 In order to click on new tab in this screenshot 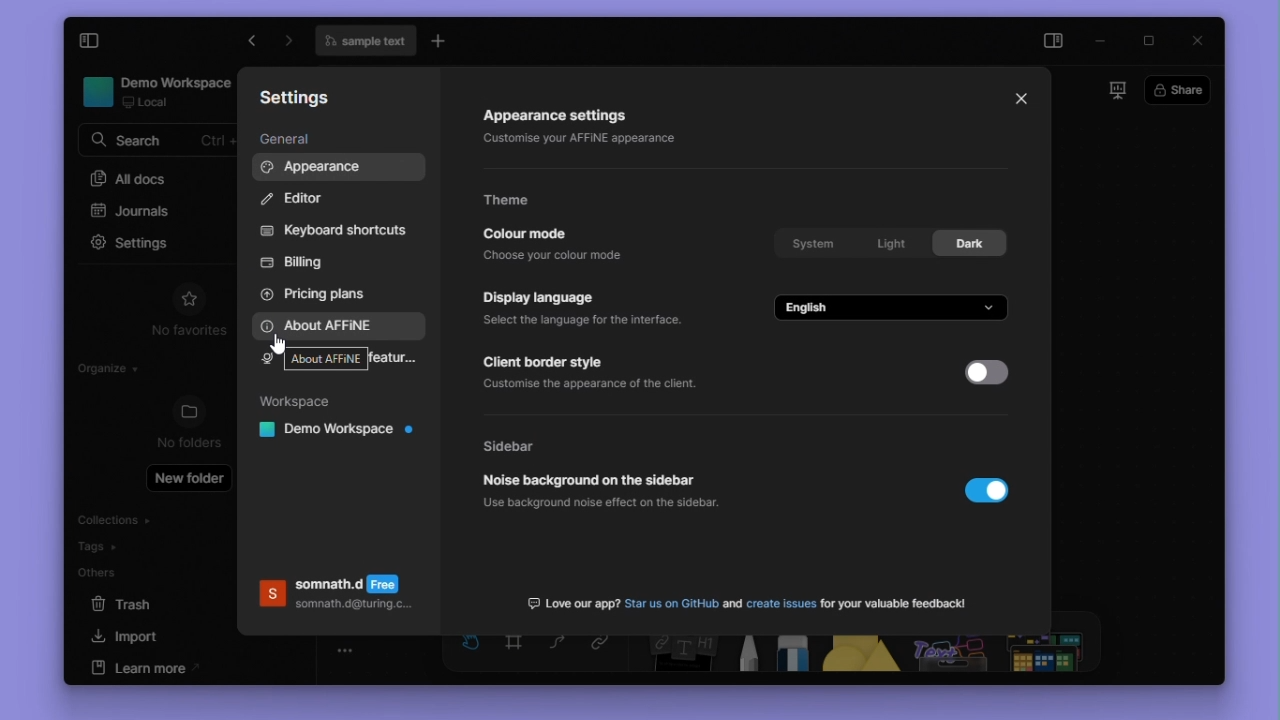, I will do `click(442, 42)`.